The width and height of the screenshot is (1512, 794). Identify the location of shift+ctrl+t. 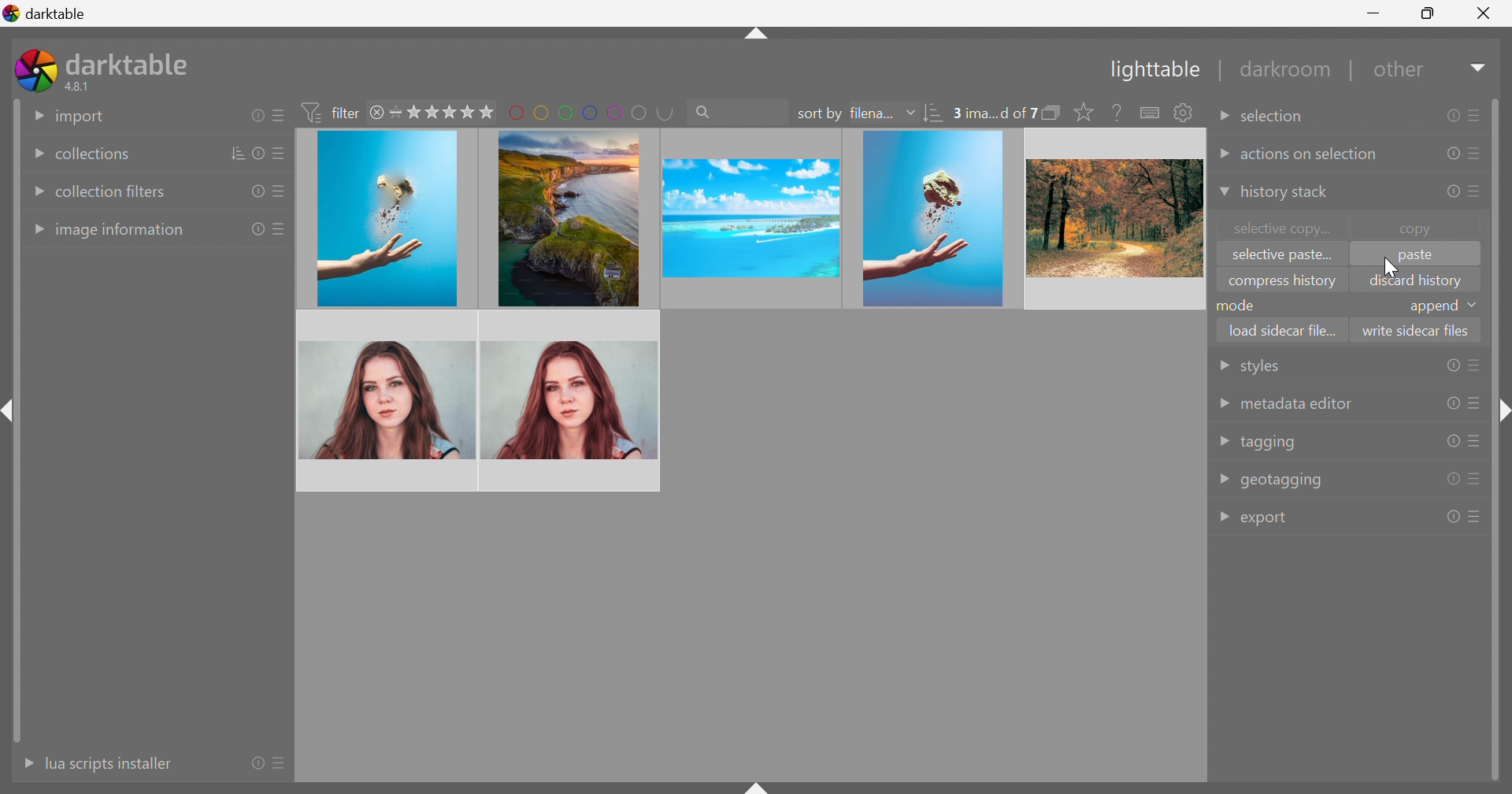
(754, 36).